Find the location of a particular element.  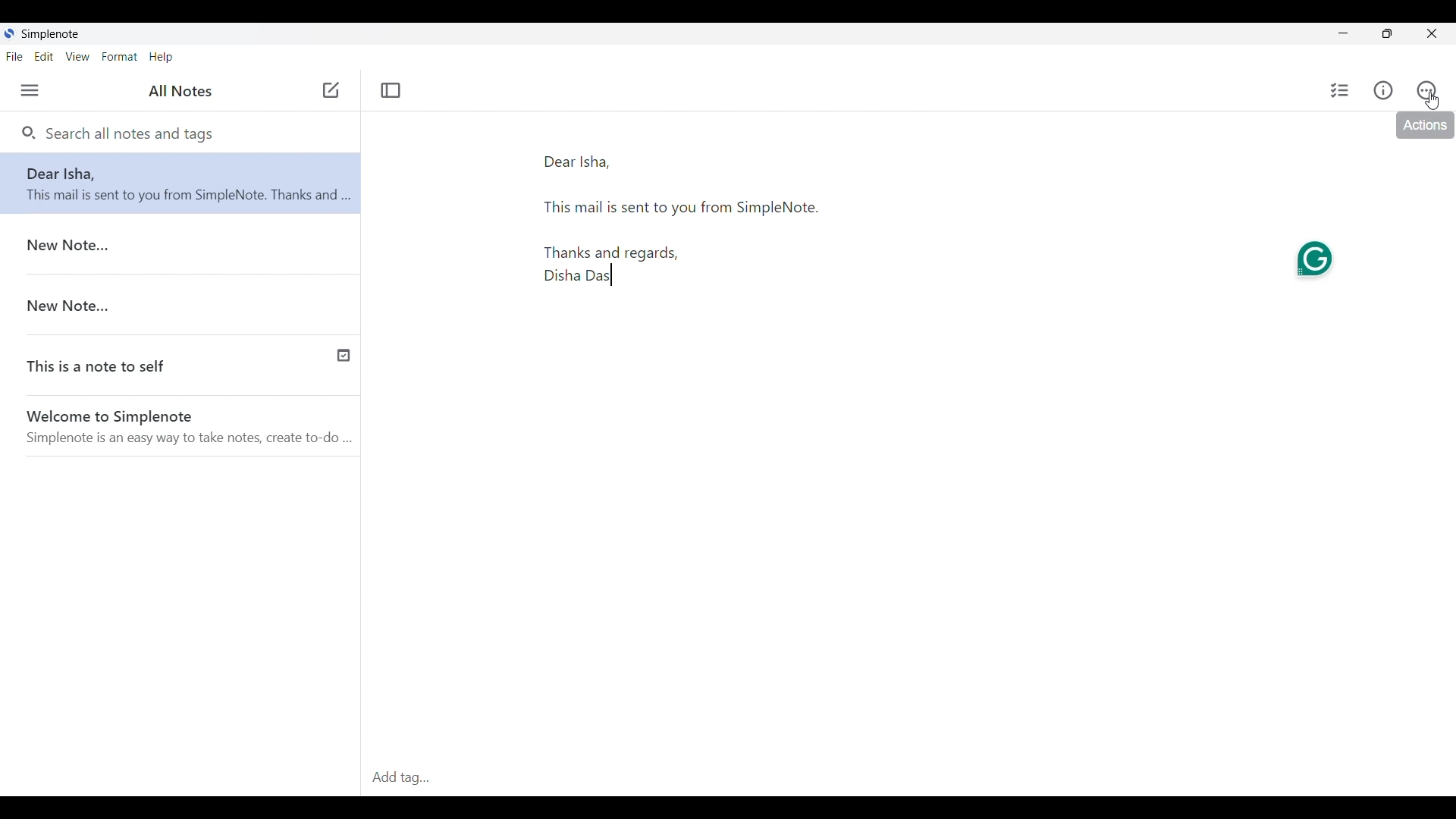

This is a note to self is located at coordinates (133, 359).